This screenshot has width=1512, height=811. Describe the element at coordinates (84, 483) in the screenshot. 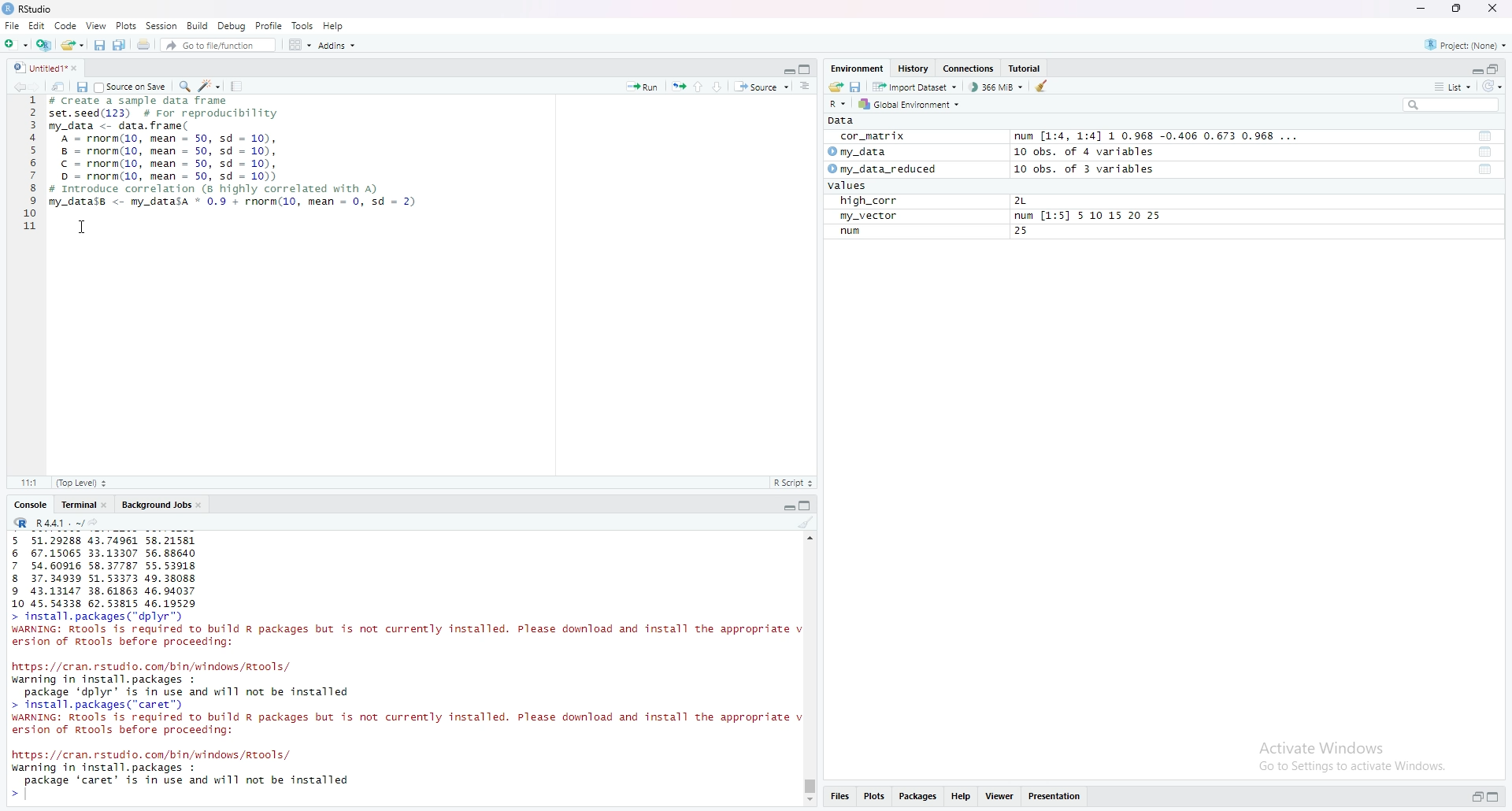

I see `(Top level)` at that location.